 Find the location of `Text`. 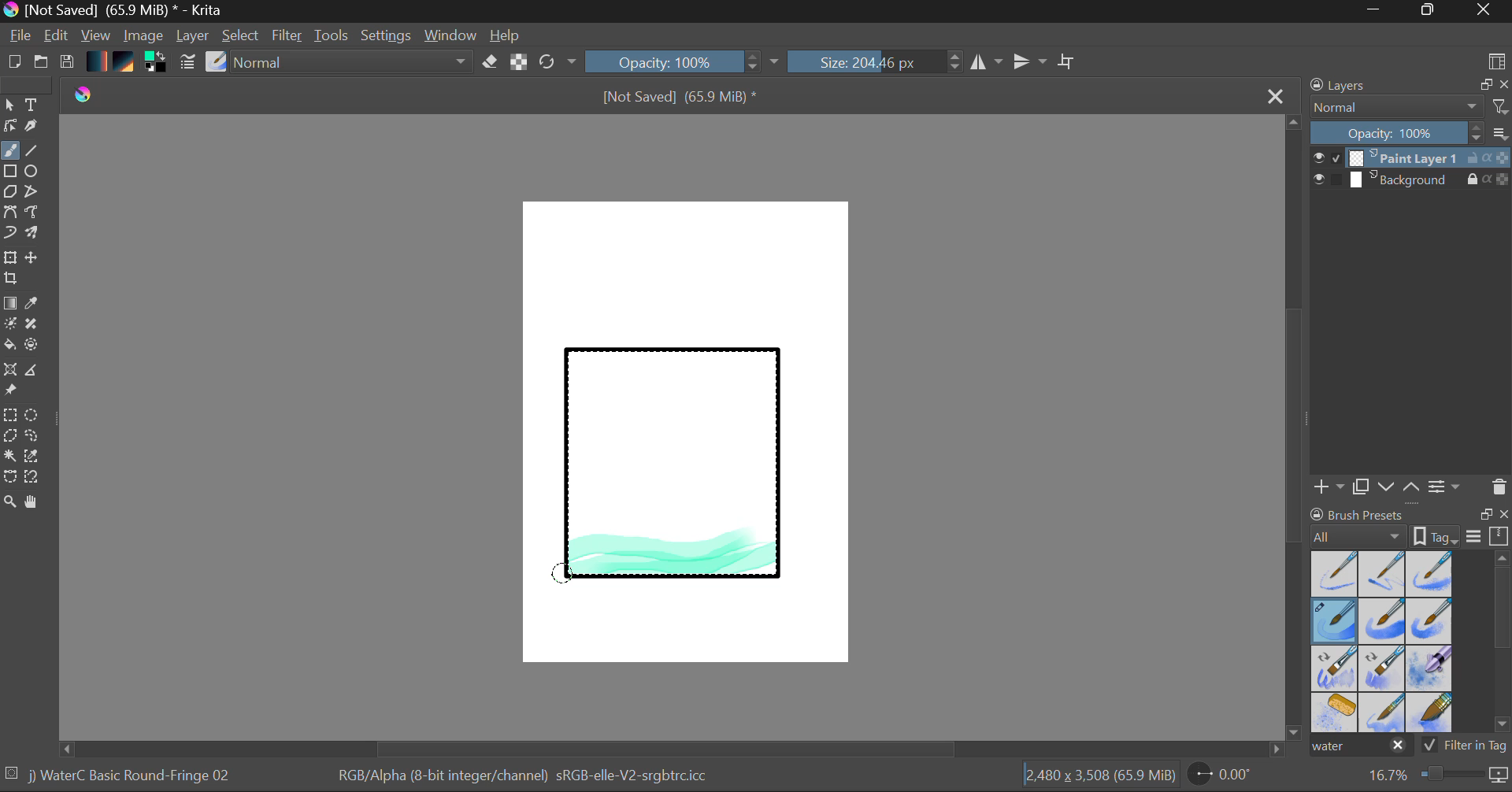

Text is located at coordinates (32, 103).